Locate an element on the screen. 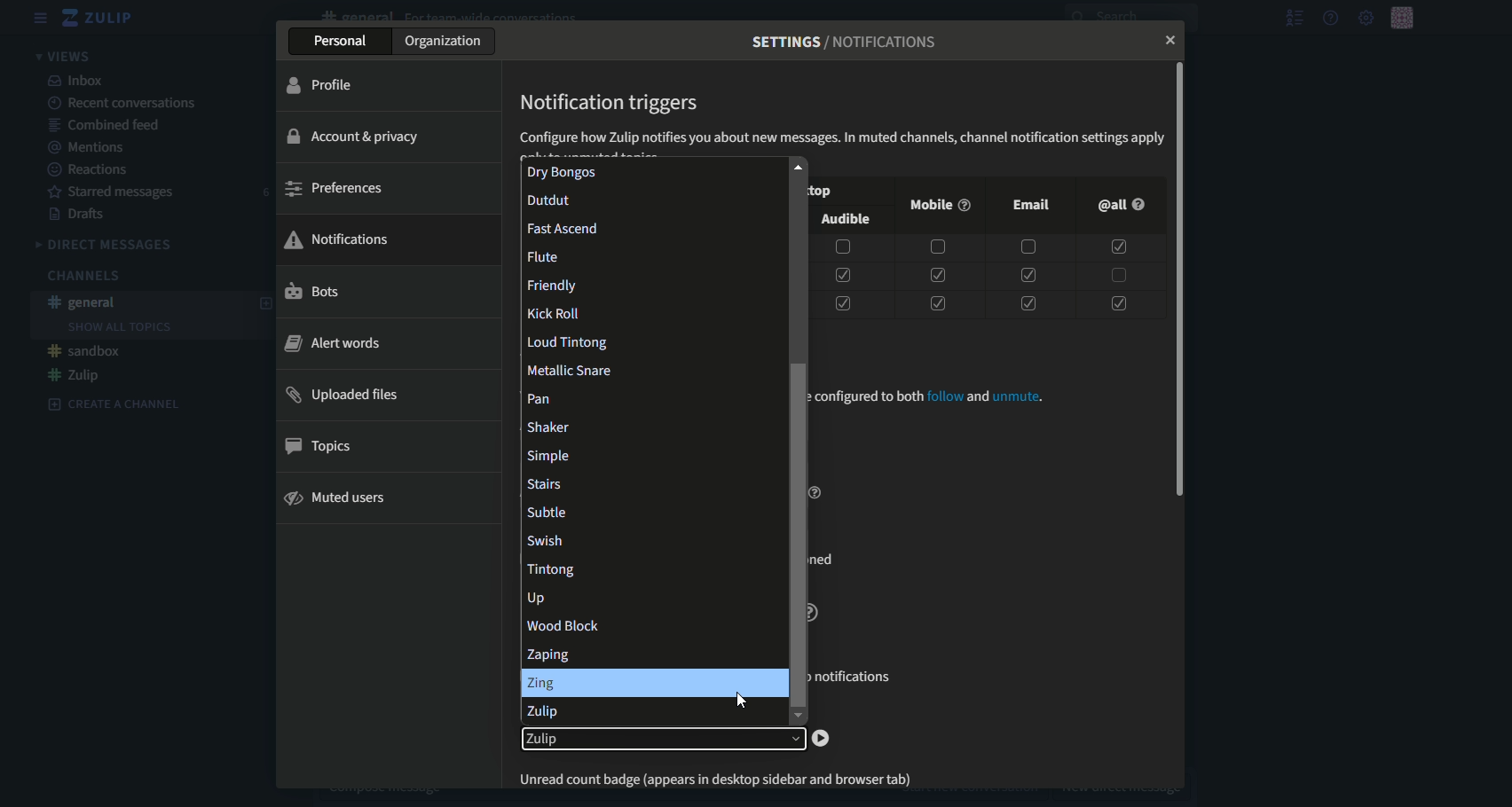  text is located at coordinates (611, 102).